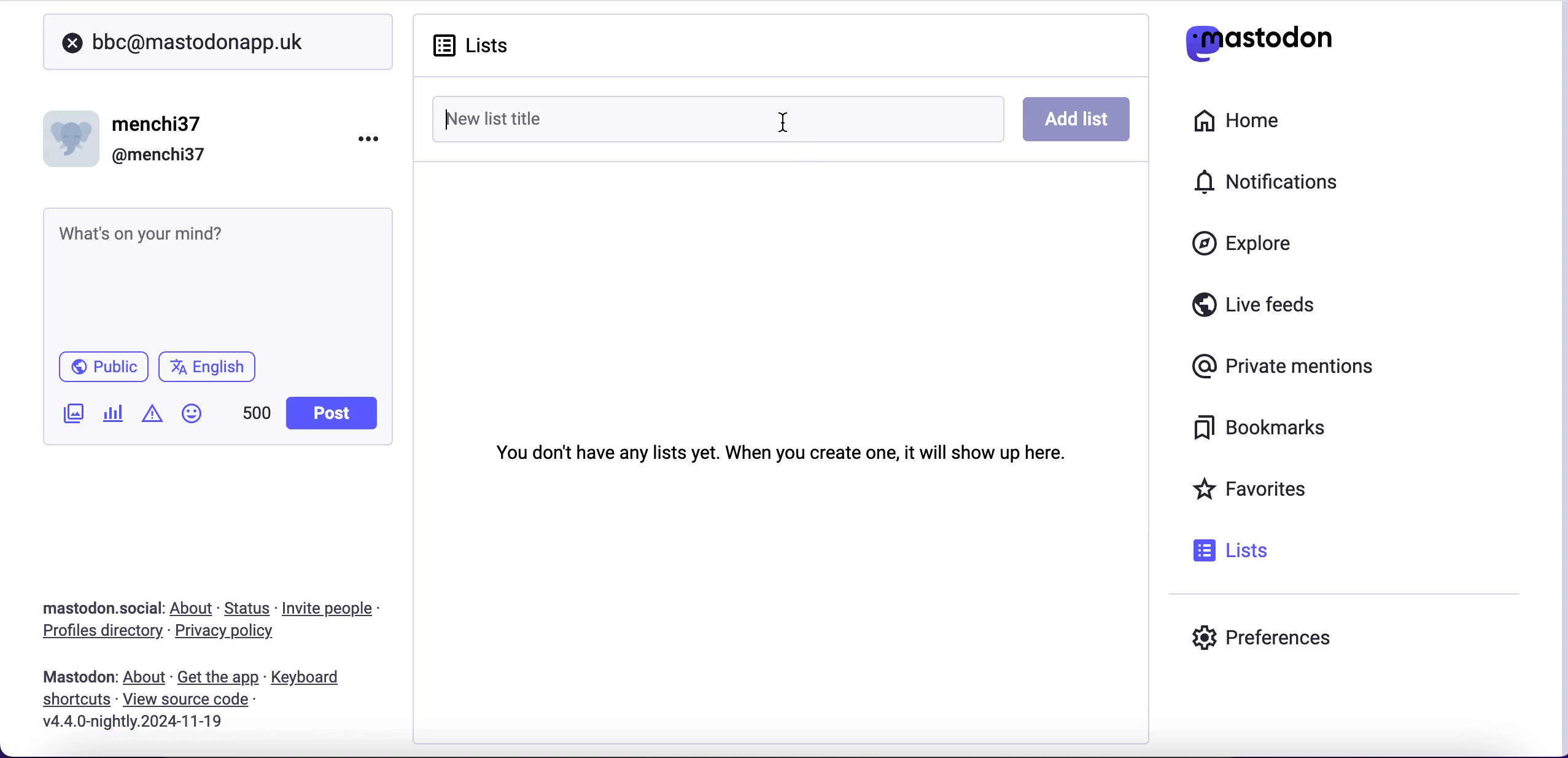 The width and height of the screenshot is (1568, 758). I want to click on bookmarks, so click(1252, 430).